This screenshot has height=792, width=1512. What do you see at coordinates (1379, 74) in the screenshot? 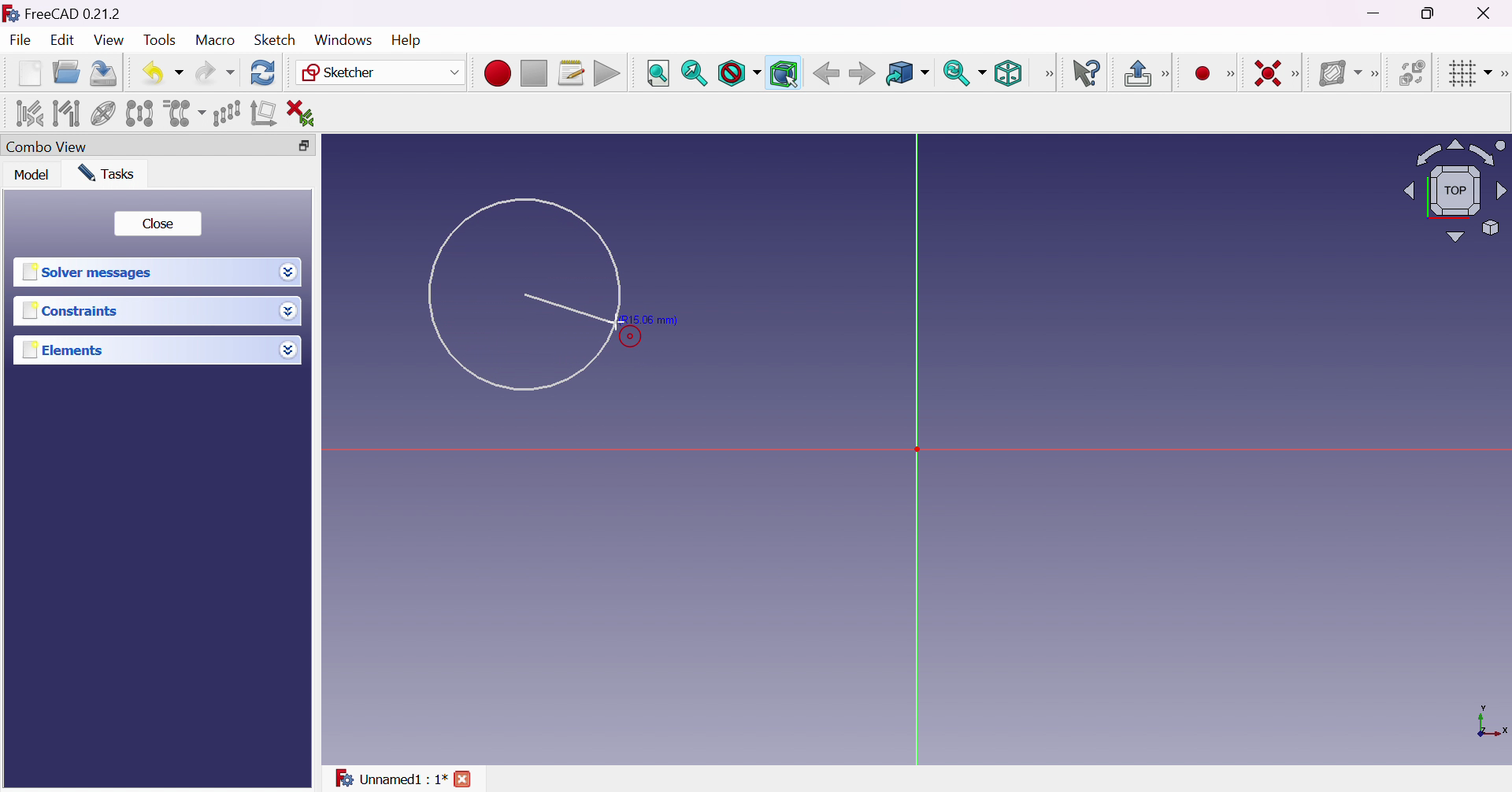
I see `[Sketcher B-spline tools]]` at bounding box center [1379, 74].